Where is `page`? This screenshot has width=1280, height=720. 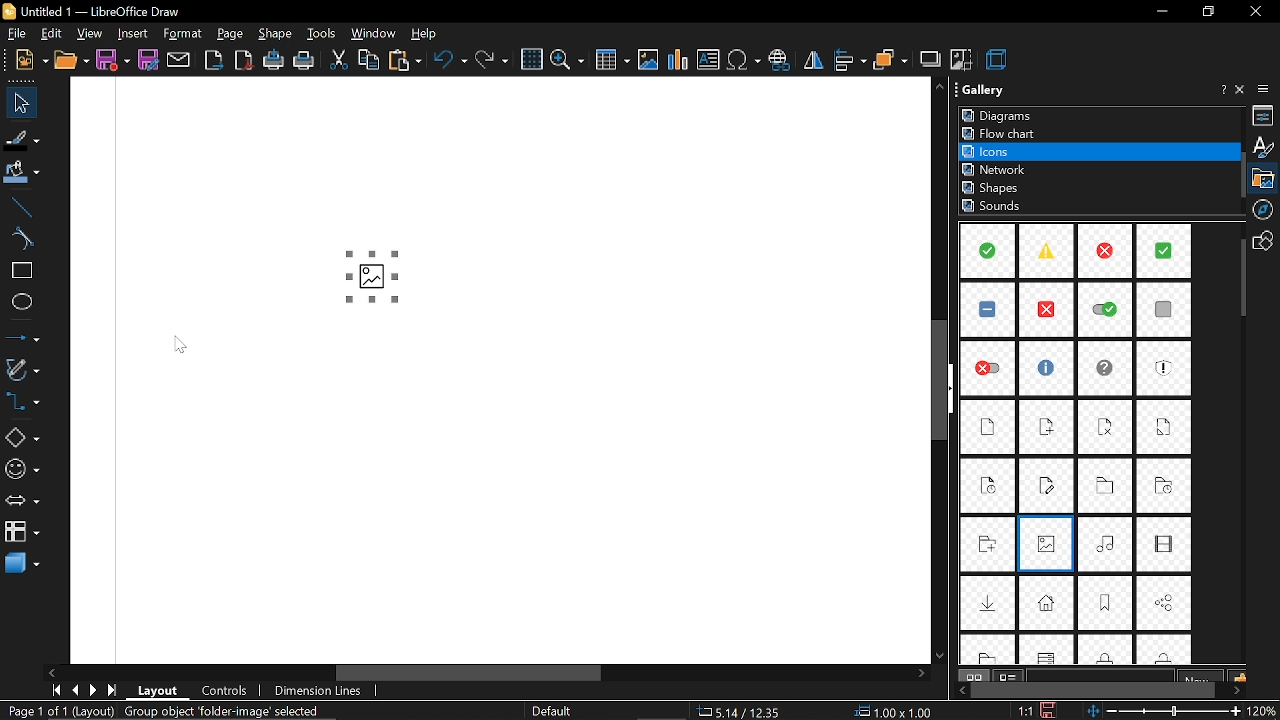 page is located at coordinates (231, 34).